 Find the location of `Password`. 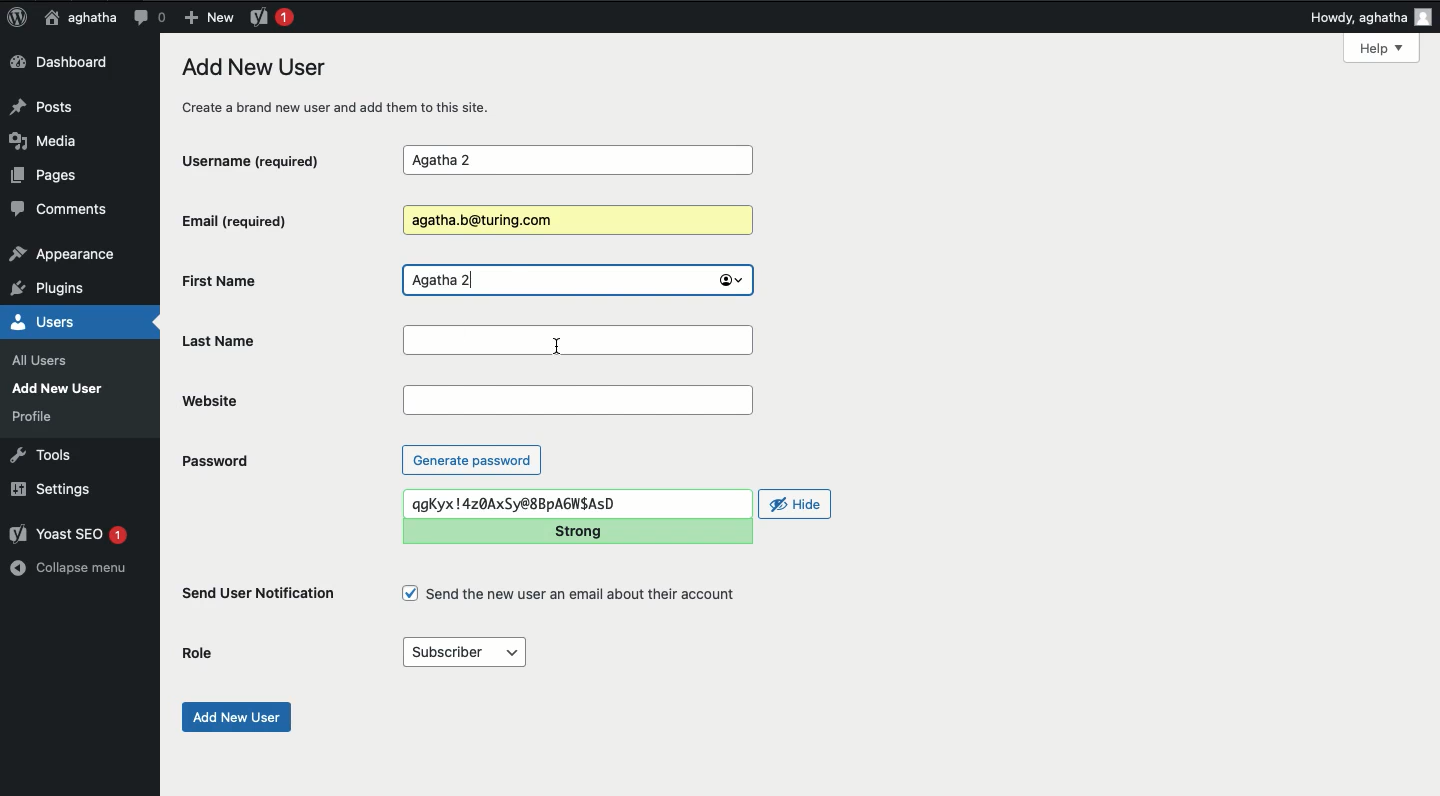

Password is located at coordinates (214, 461).